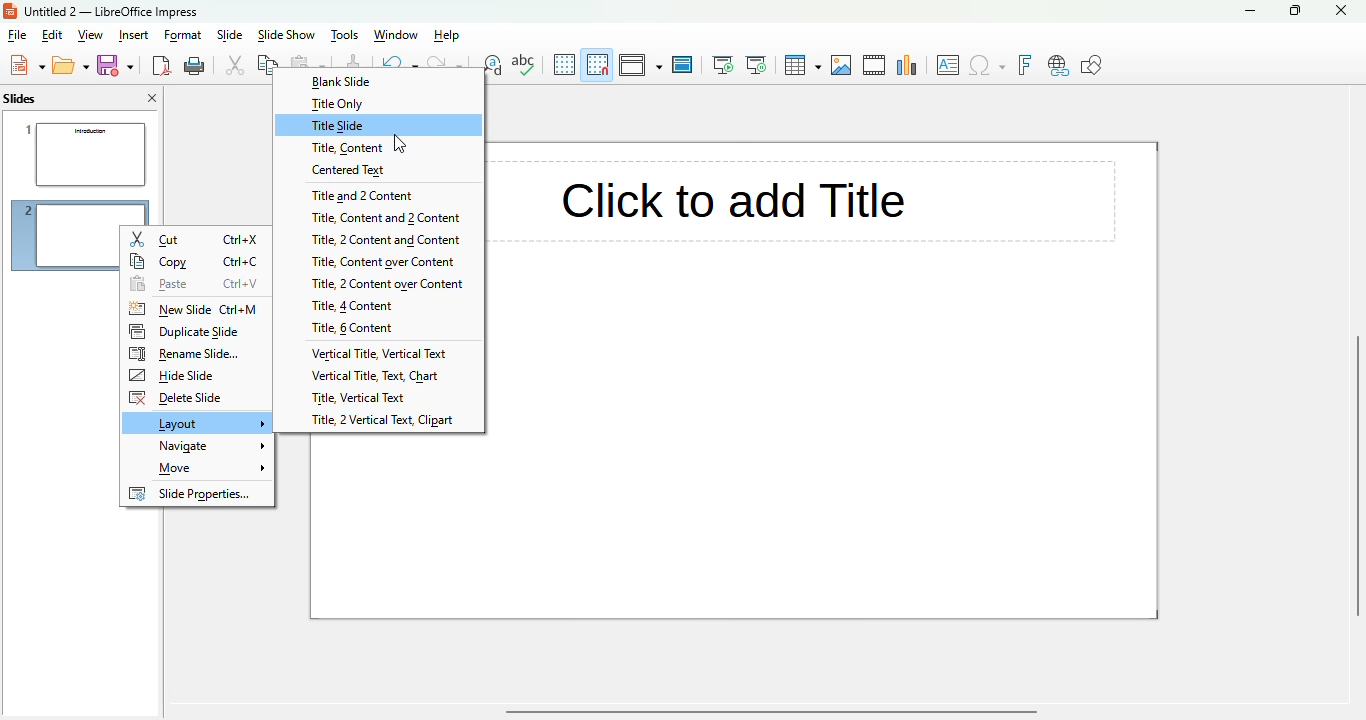  Describe the element at coordinates (1296, 10) in the screenshot. I see `maximize` at that location.